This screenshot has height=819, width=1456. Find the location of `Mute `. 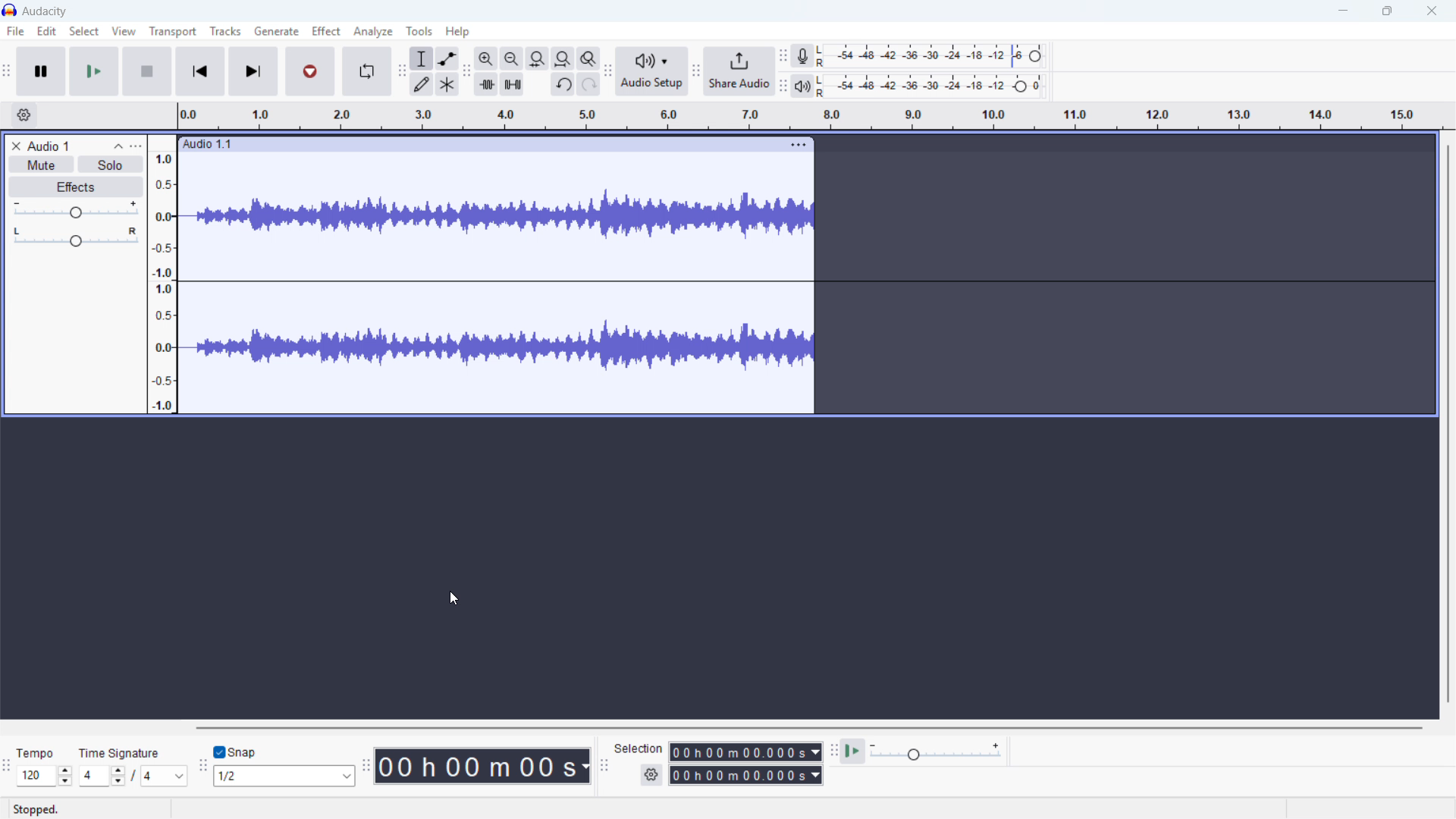

Mute  is located at coordinates (40, 164).